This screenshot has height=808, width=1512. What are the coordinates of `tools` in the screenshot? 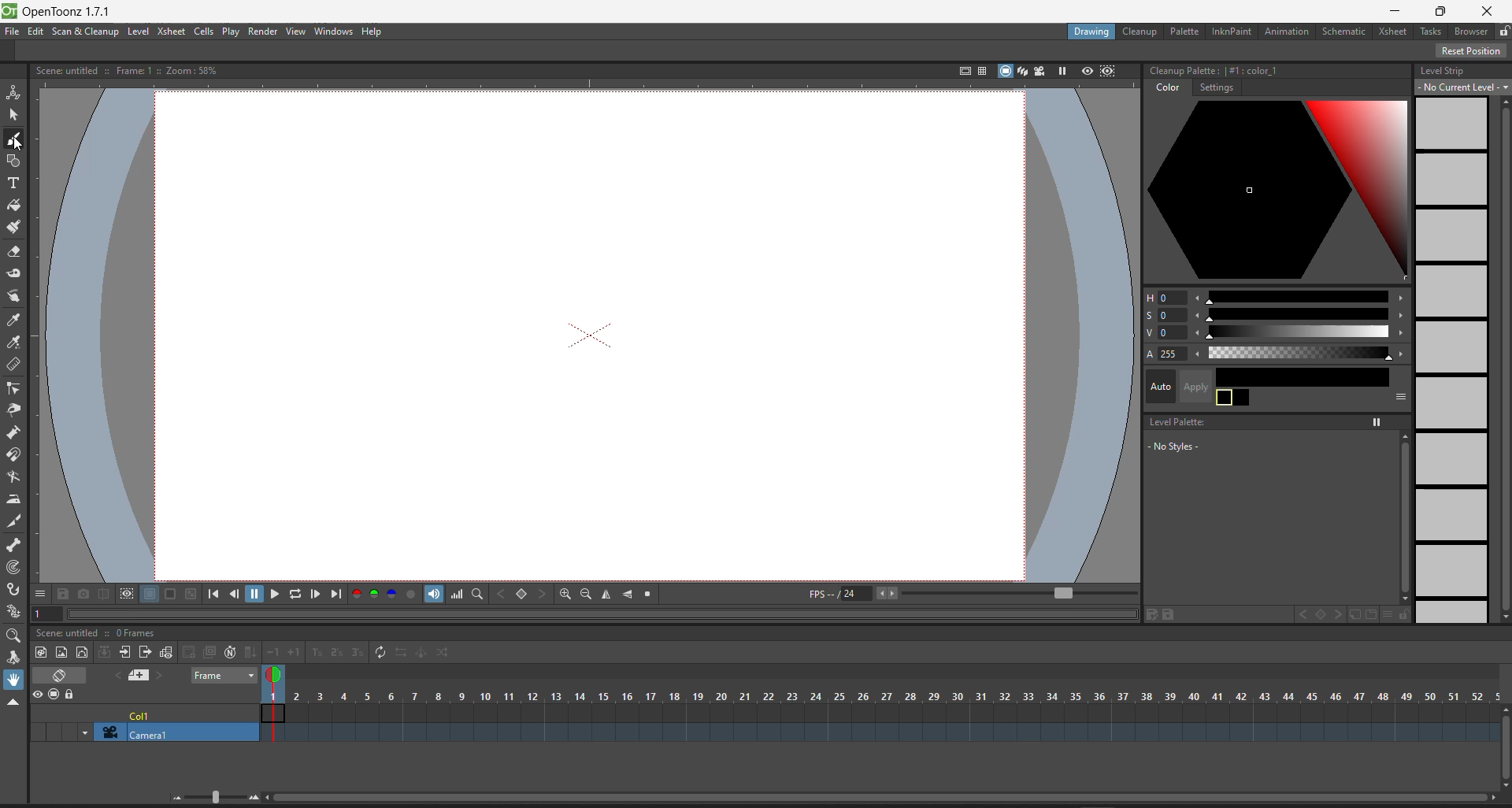 It's located at (1430, 31).